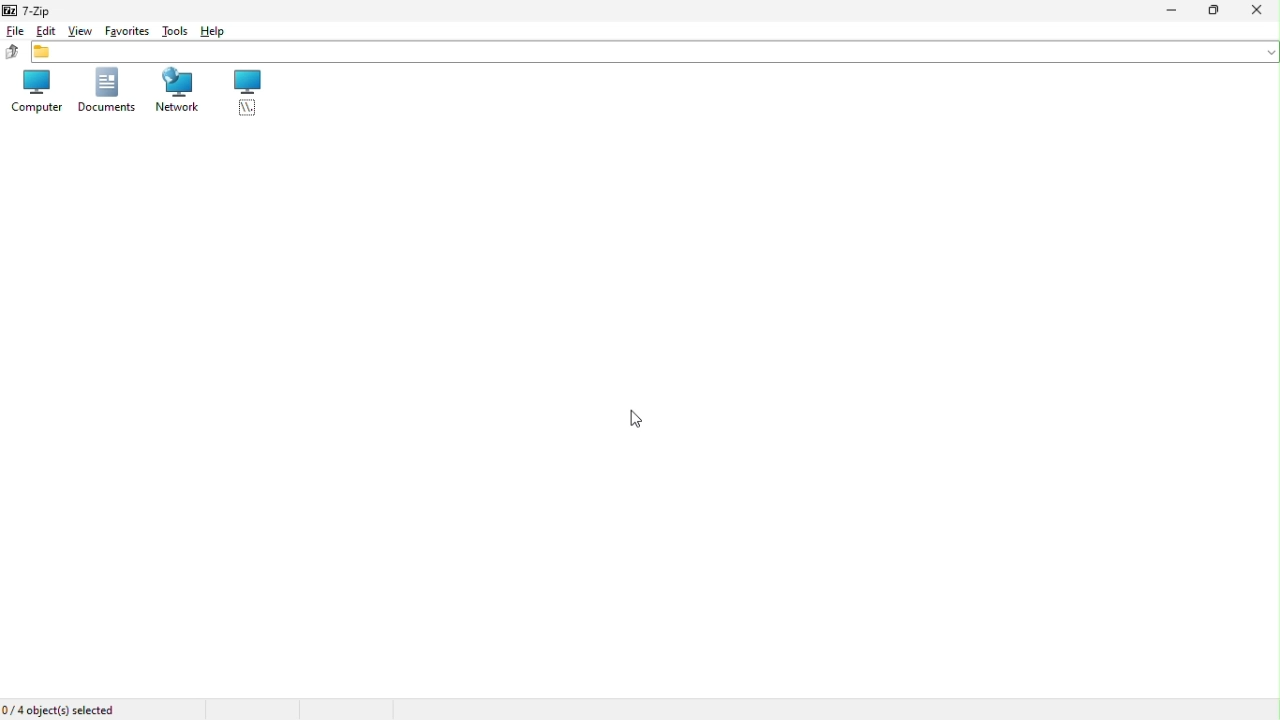 The height and width of the screenshot is (720, 1280). What do you see at coordinates (1261, 12) in the screenshot?
I see `Close` at bounding box center [1261, 12].